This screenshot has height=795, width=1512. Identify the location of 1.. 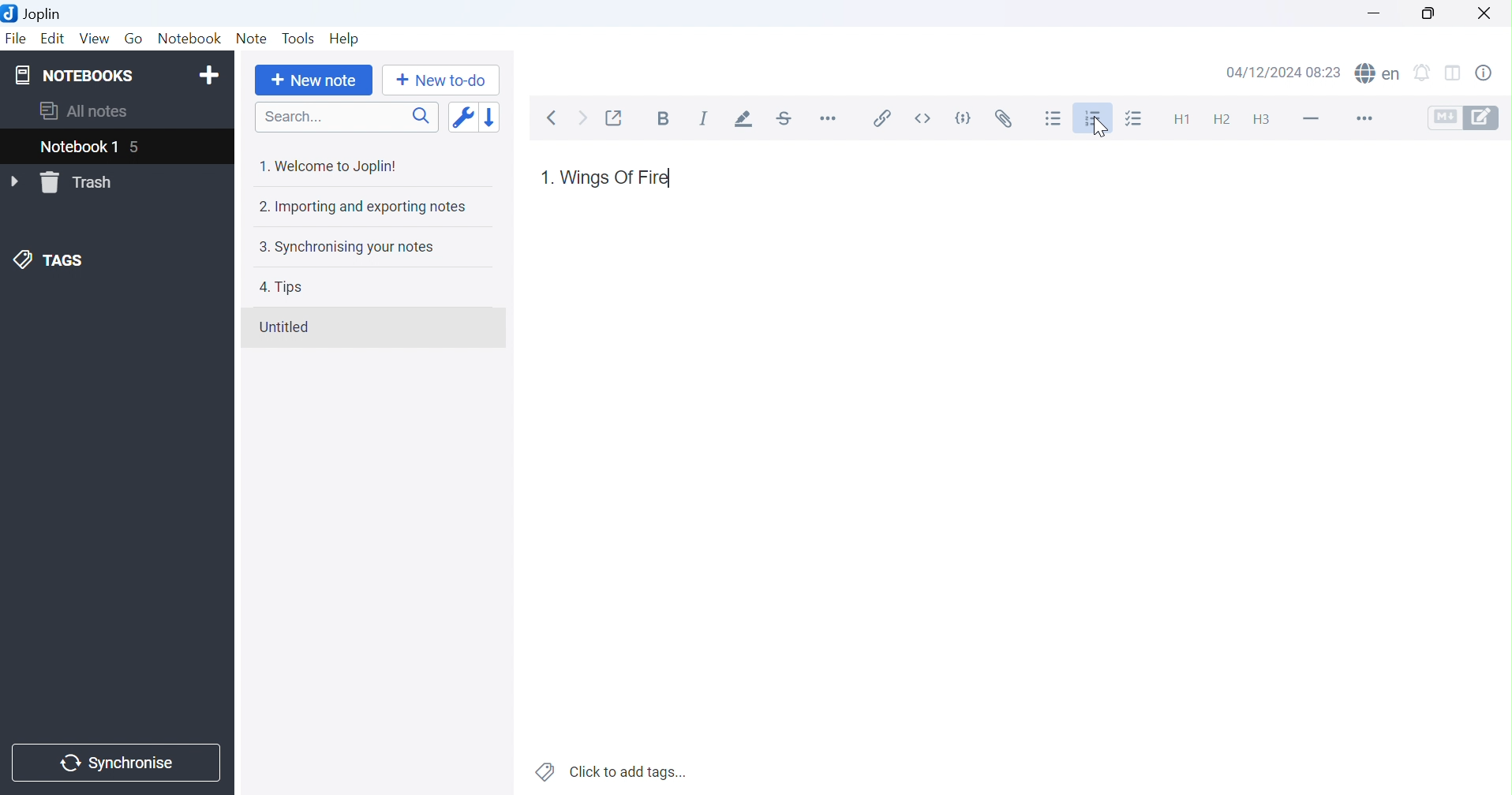
(545, 177).